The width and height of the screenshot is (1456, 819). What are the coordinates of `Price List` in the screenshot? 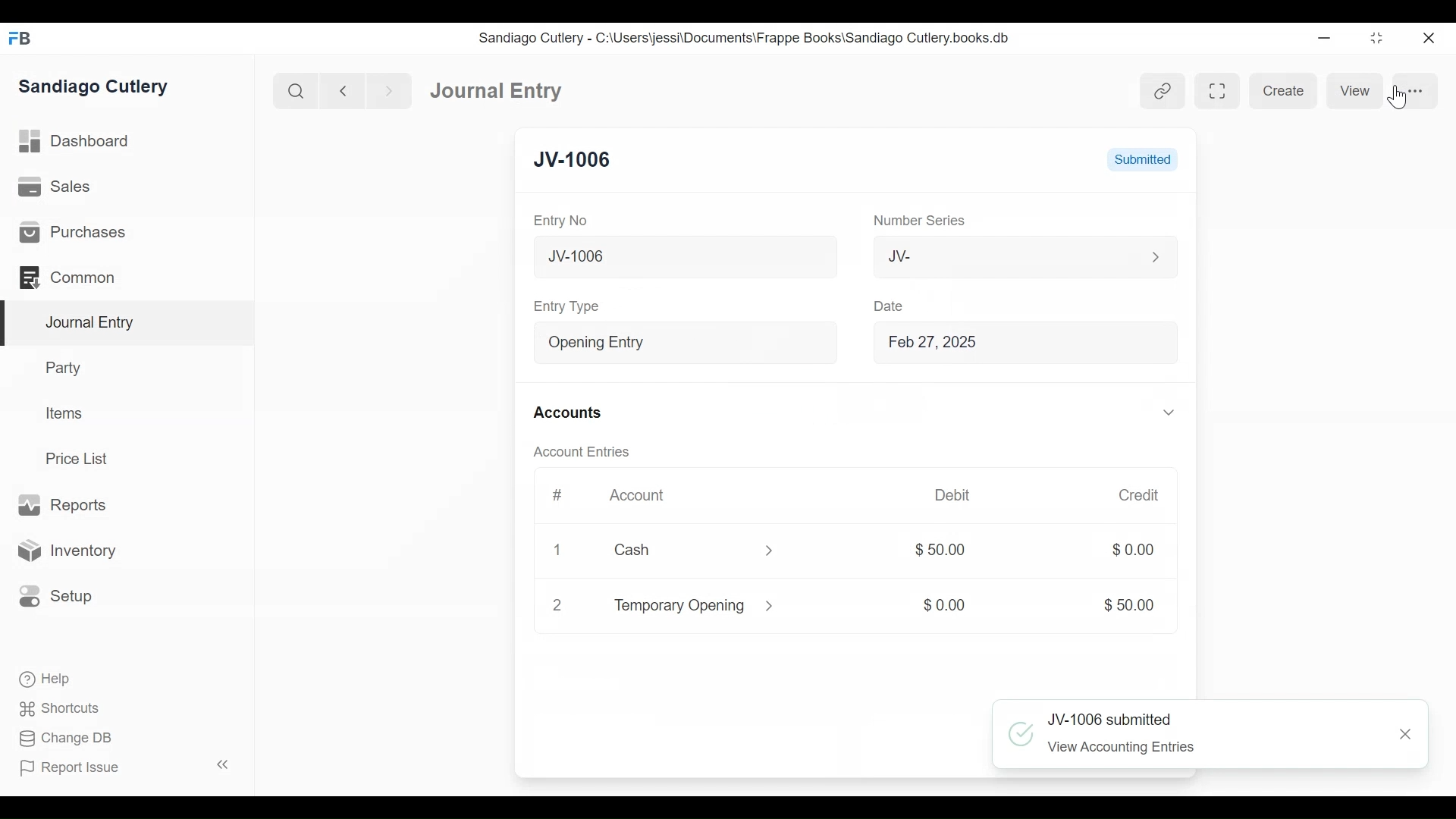 It's located at (80, 458).